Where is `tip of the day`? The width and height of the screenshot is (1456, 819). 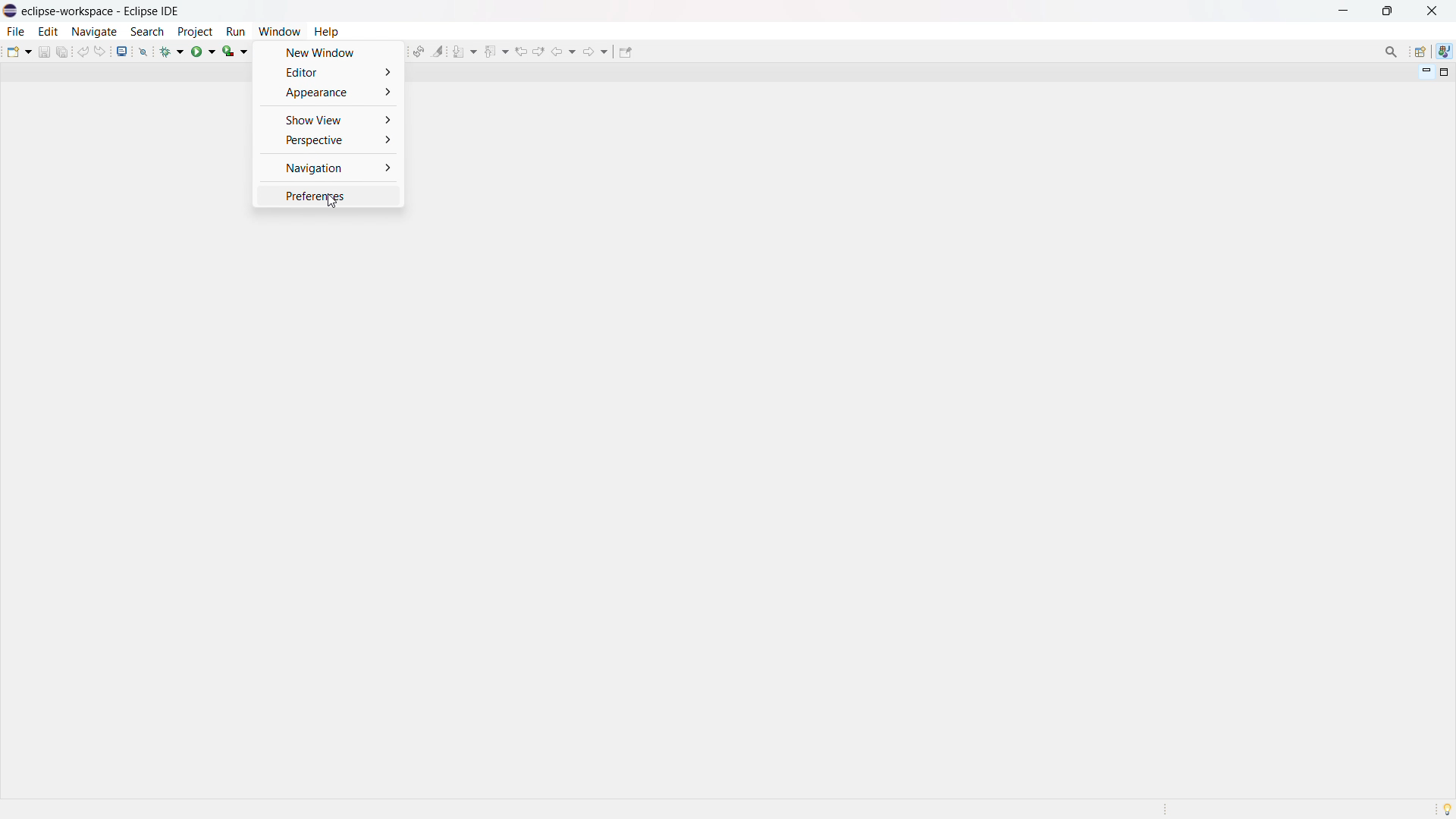
tip of the day is located at coordinates (1447, 808).